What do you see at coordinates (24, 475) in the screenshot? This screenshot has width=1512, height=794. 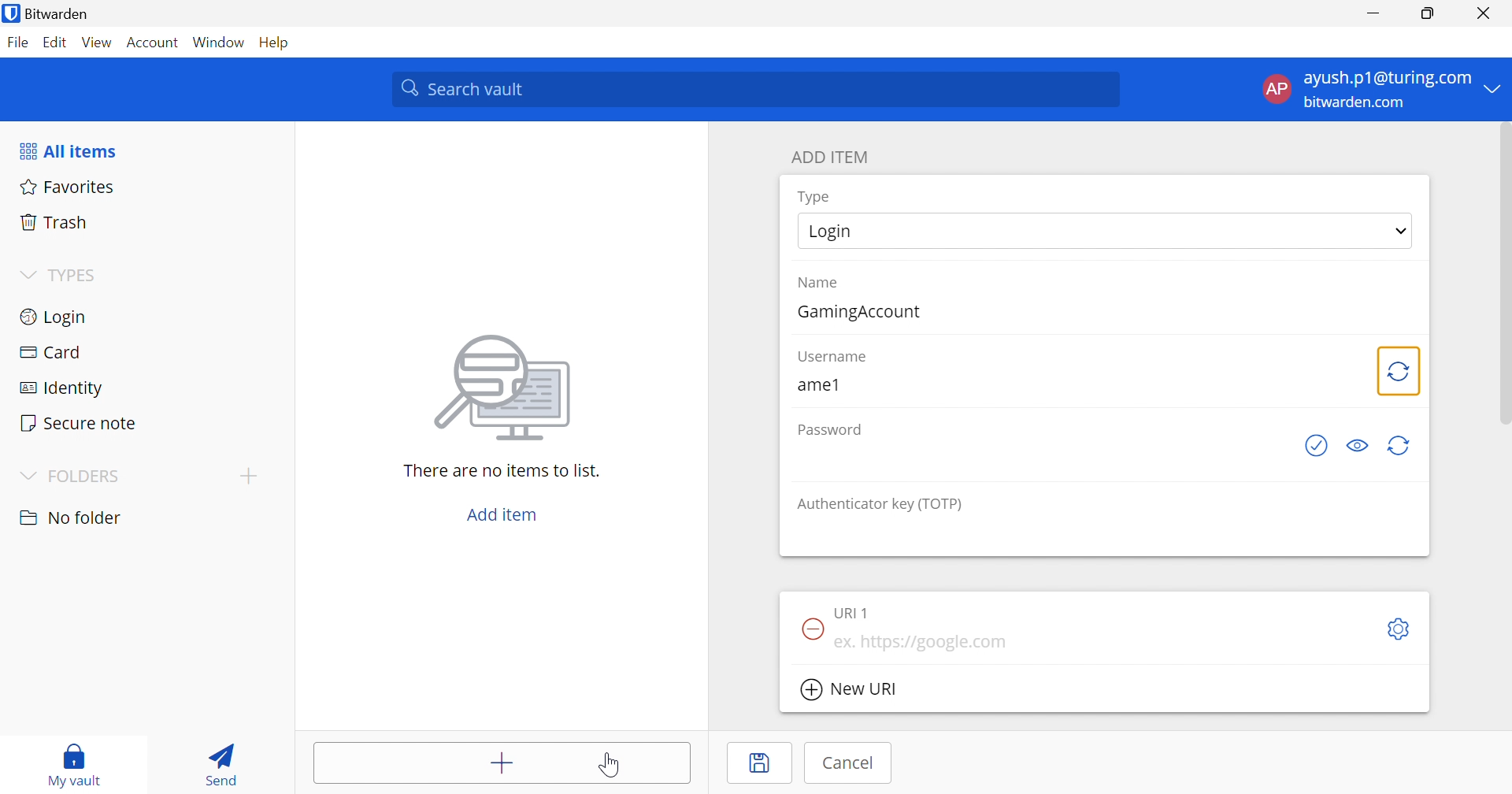 I see `Drop Down` at bounding box center [24, 475].